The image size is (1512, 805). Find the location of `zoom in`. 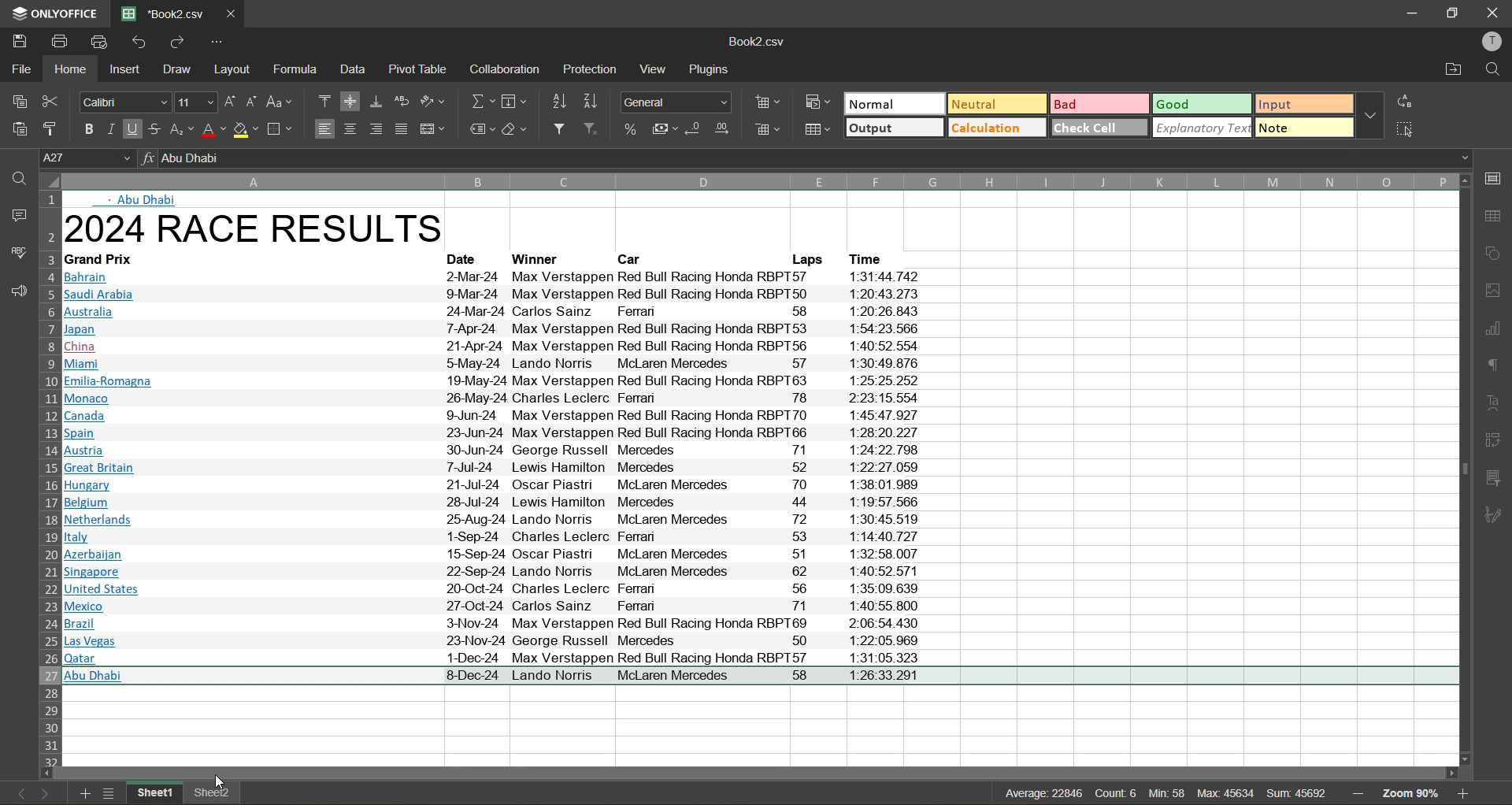

zoom in is located at coordinates (1466, 794).